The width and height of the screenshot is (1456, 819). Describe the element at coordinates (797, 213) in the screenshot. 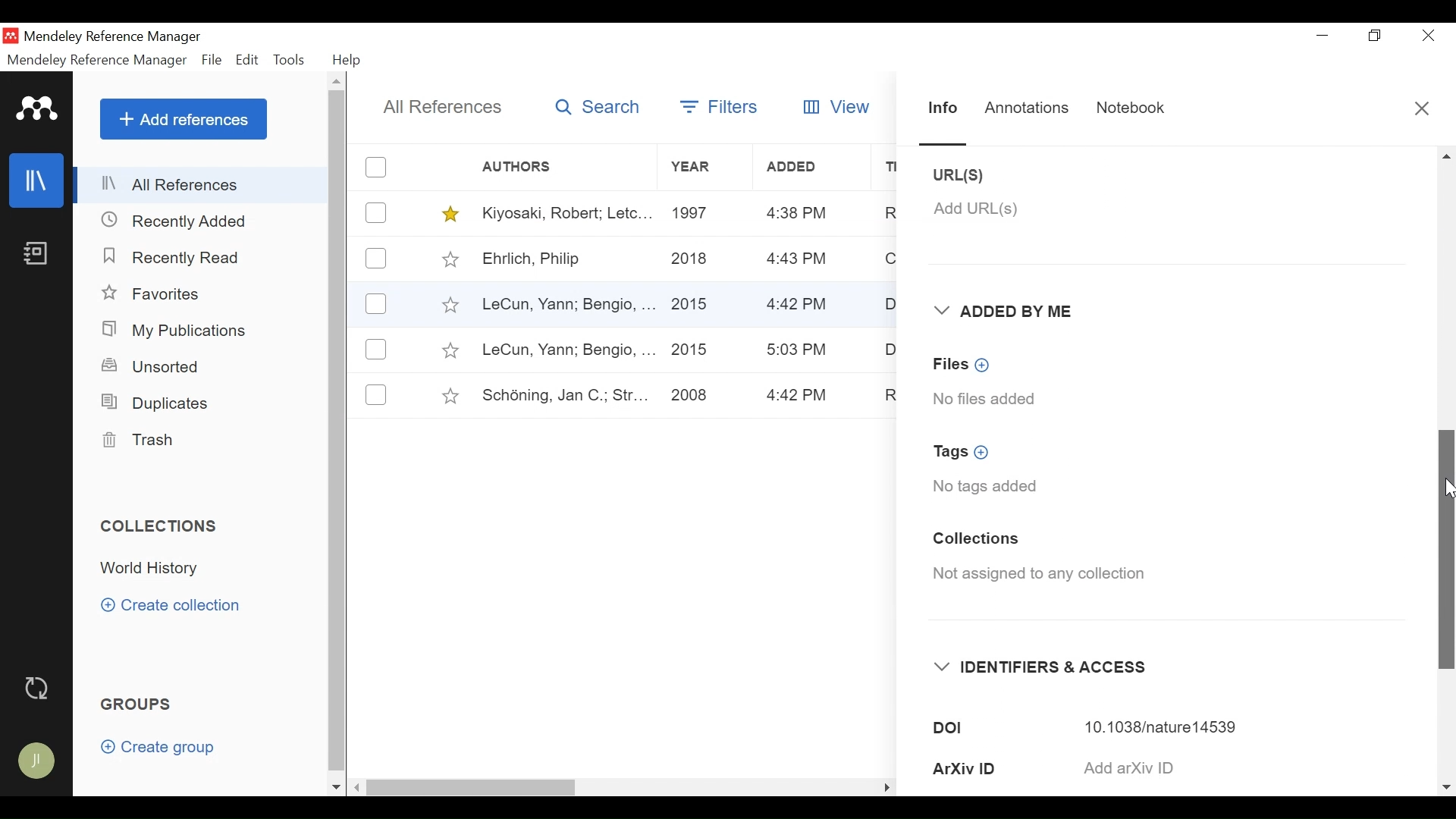

I see `4:43 PM` at that location.